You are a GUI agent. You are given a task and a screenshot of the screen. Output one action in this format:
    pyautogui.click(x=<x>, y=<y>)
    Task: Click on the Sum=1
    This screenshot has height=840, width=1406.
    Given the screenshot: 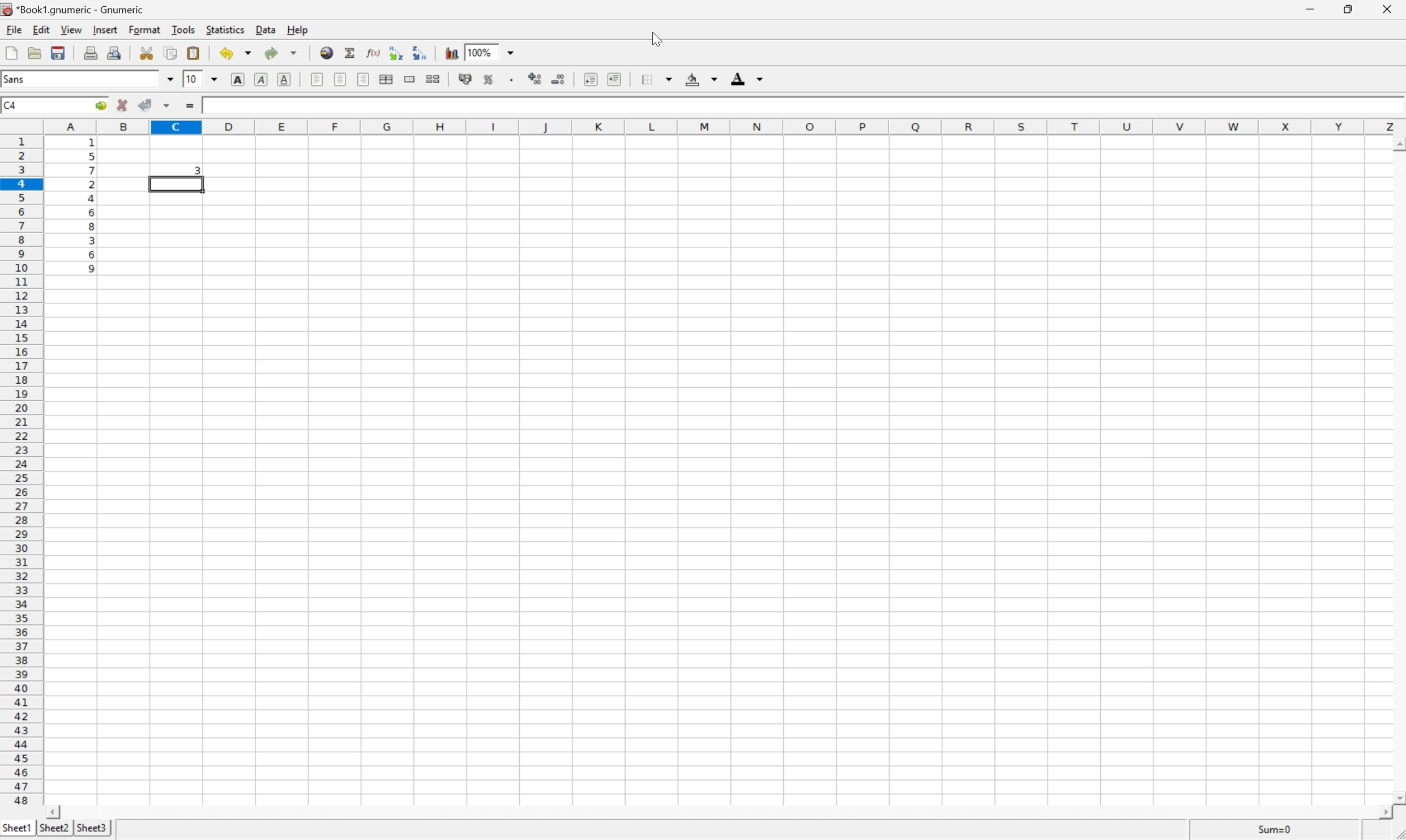 What is the action you would take?
    pyautogui.click(x=1275, y=831)
    